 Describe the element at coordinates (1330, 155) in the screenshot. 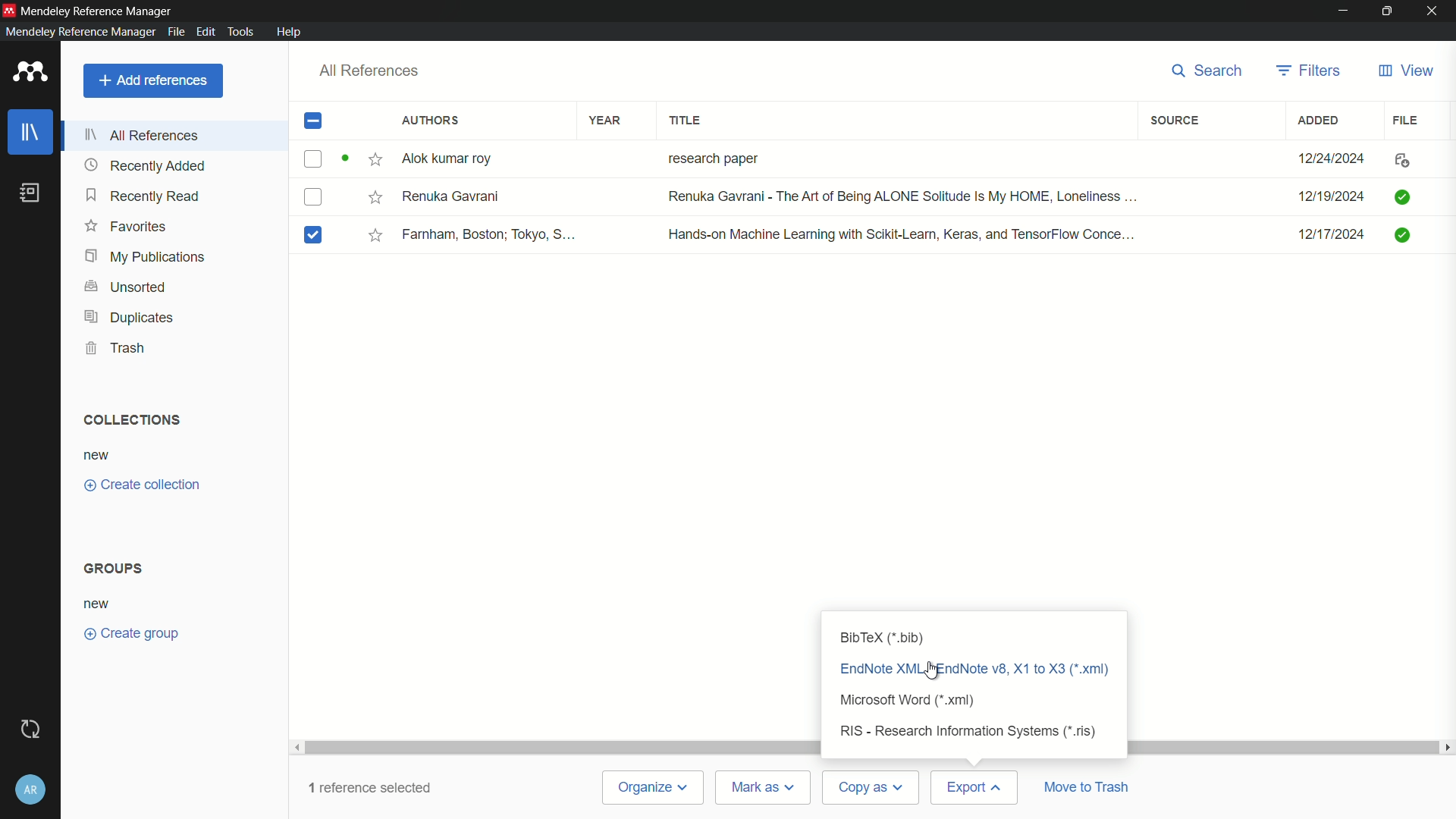

I see `12/24/2024` at that location.